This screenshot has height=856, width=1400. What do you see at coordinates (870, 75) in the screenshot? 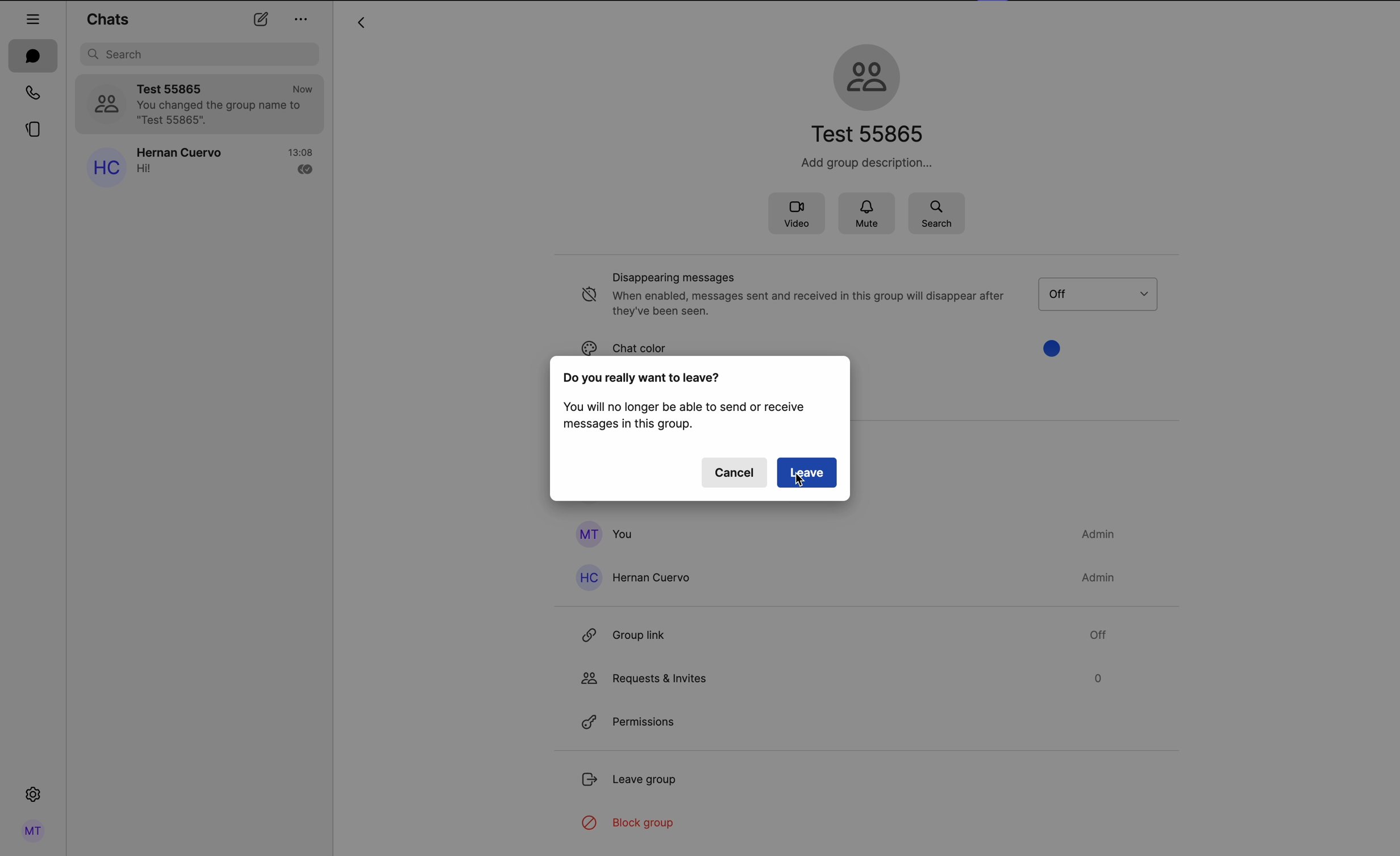
I see `image group` at bounding box center [870, 75].